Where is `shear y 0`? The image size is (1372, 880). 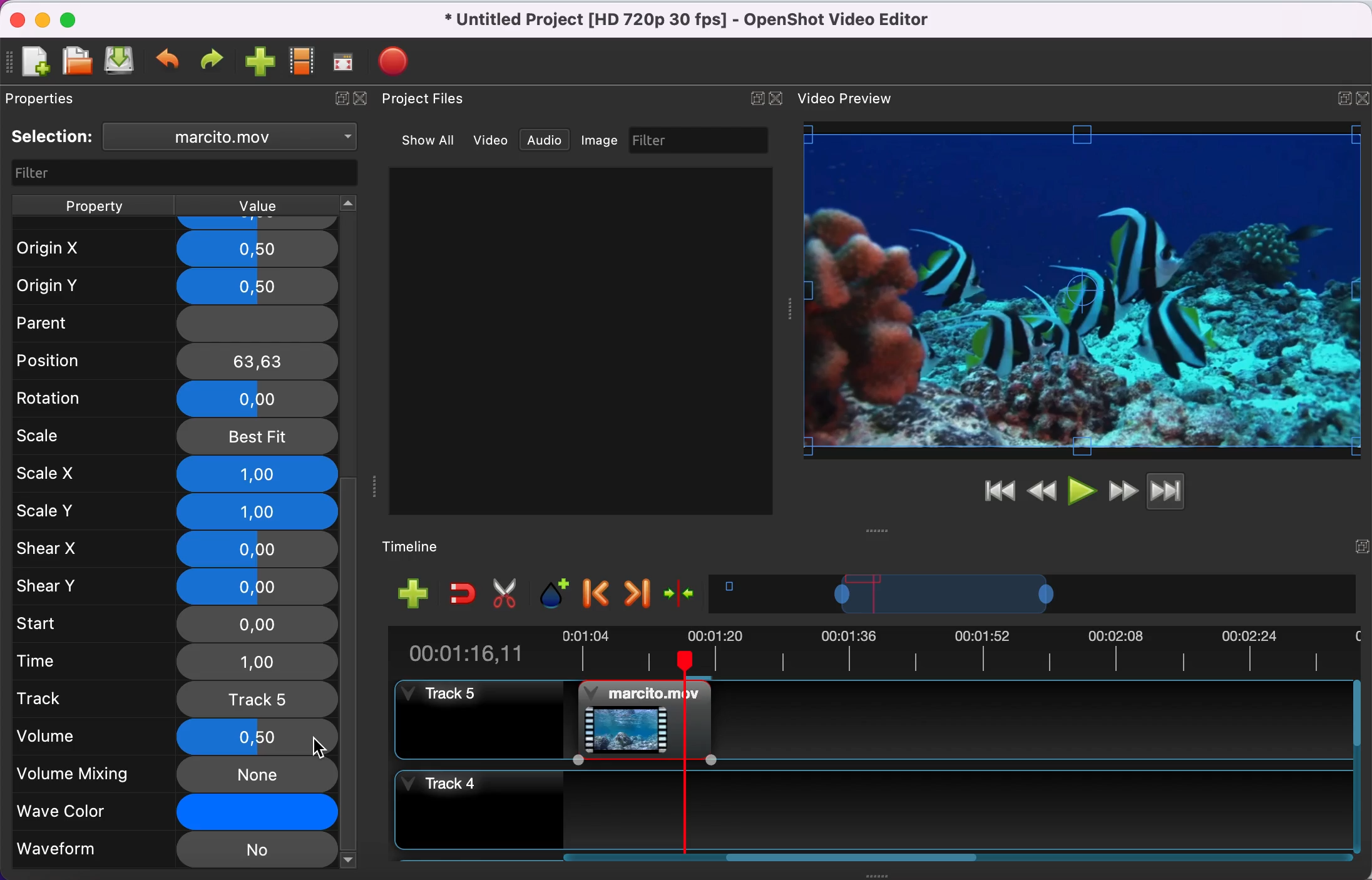
shear y 0 is located at coordinates (176, 586).